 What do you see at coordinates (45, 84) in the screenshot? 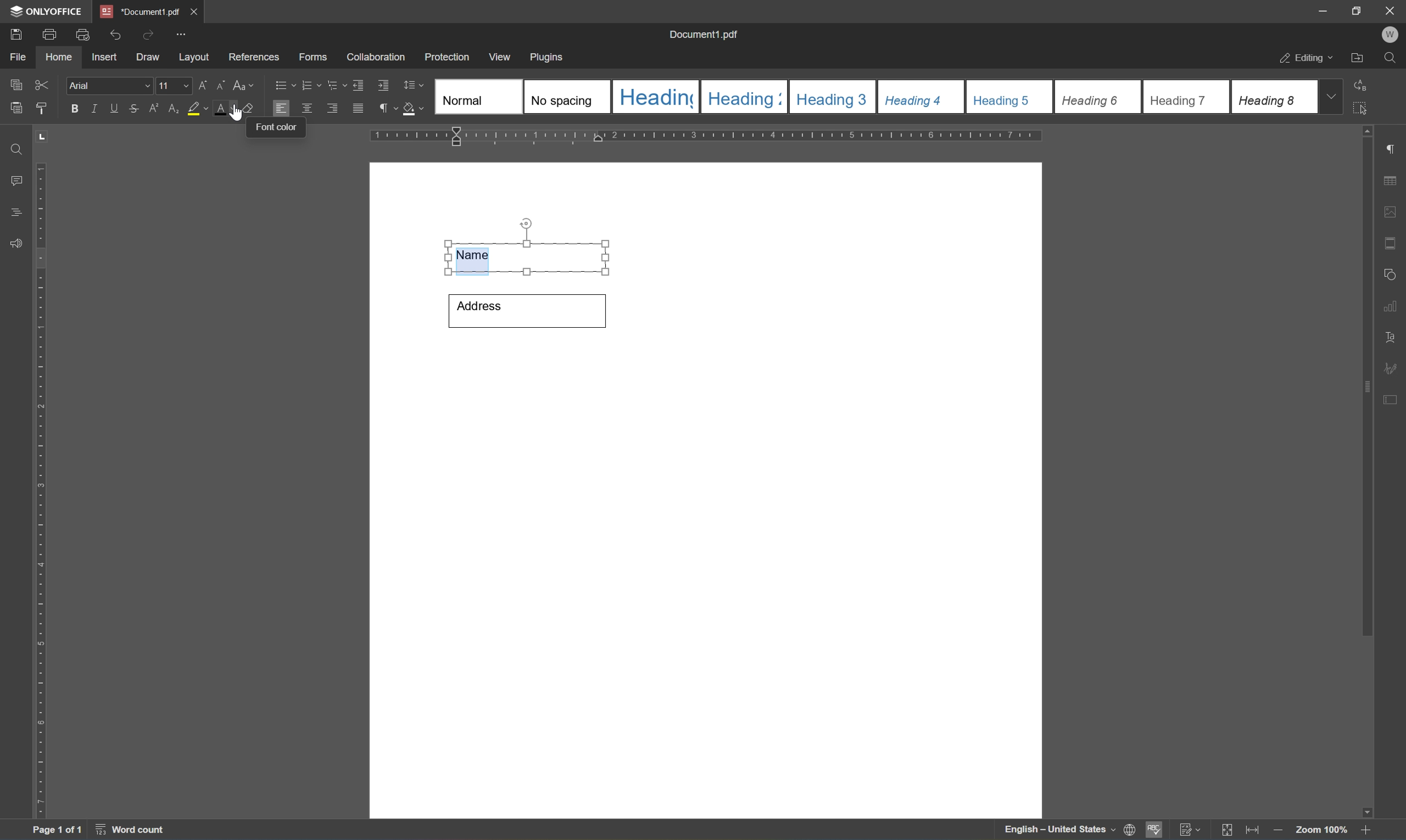
I see `cut` at bounding box center [45, 84].